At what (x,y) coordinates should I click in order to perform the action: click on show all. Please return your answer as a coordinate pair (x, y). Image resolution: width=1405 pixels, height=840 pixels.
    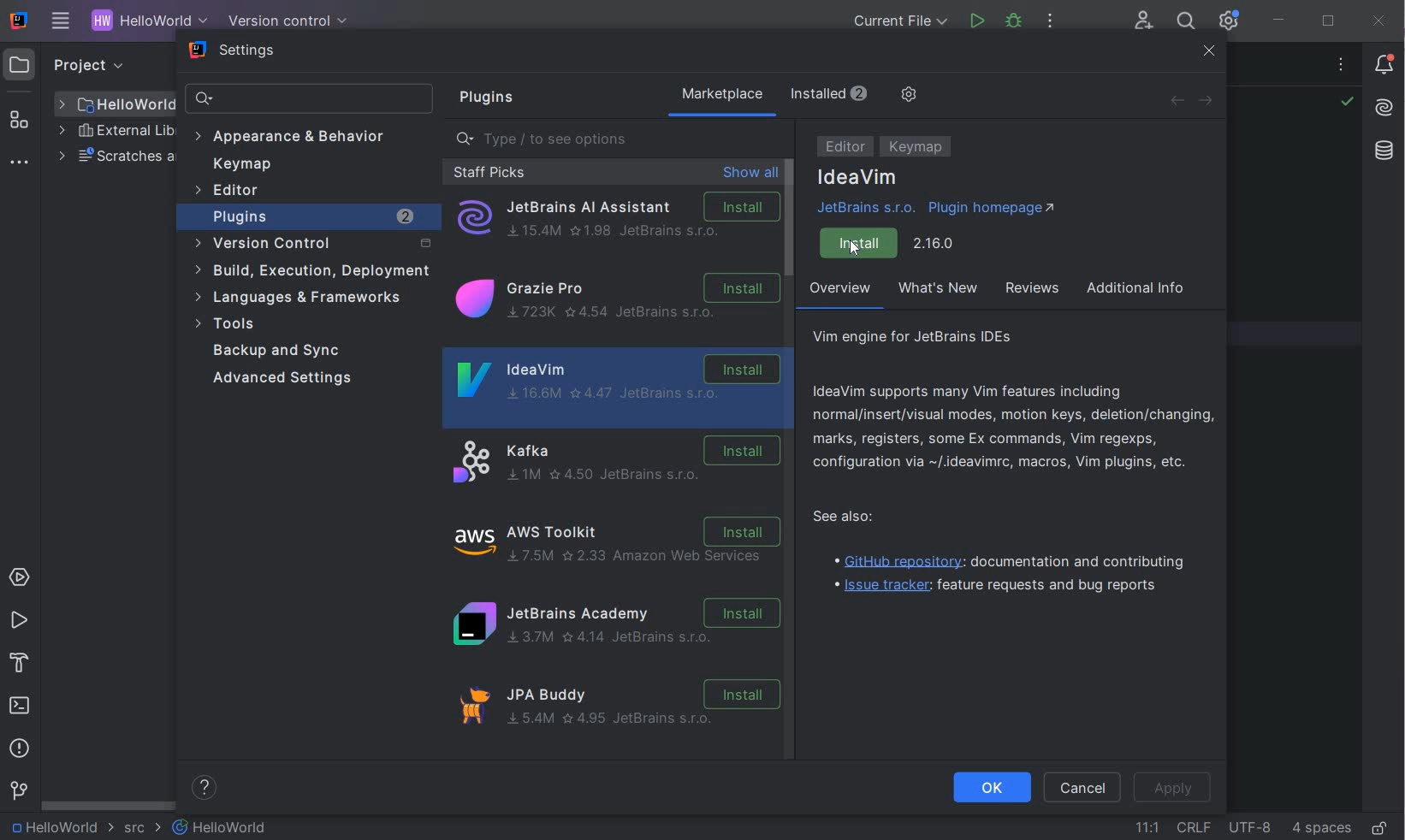
    Looking at the image, I should click on (750, 174).